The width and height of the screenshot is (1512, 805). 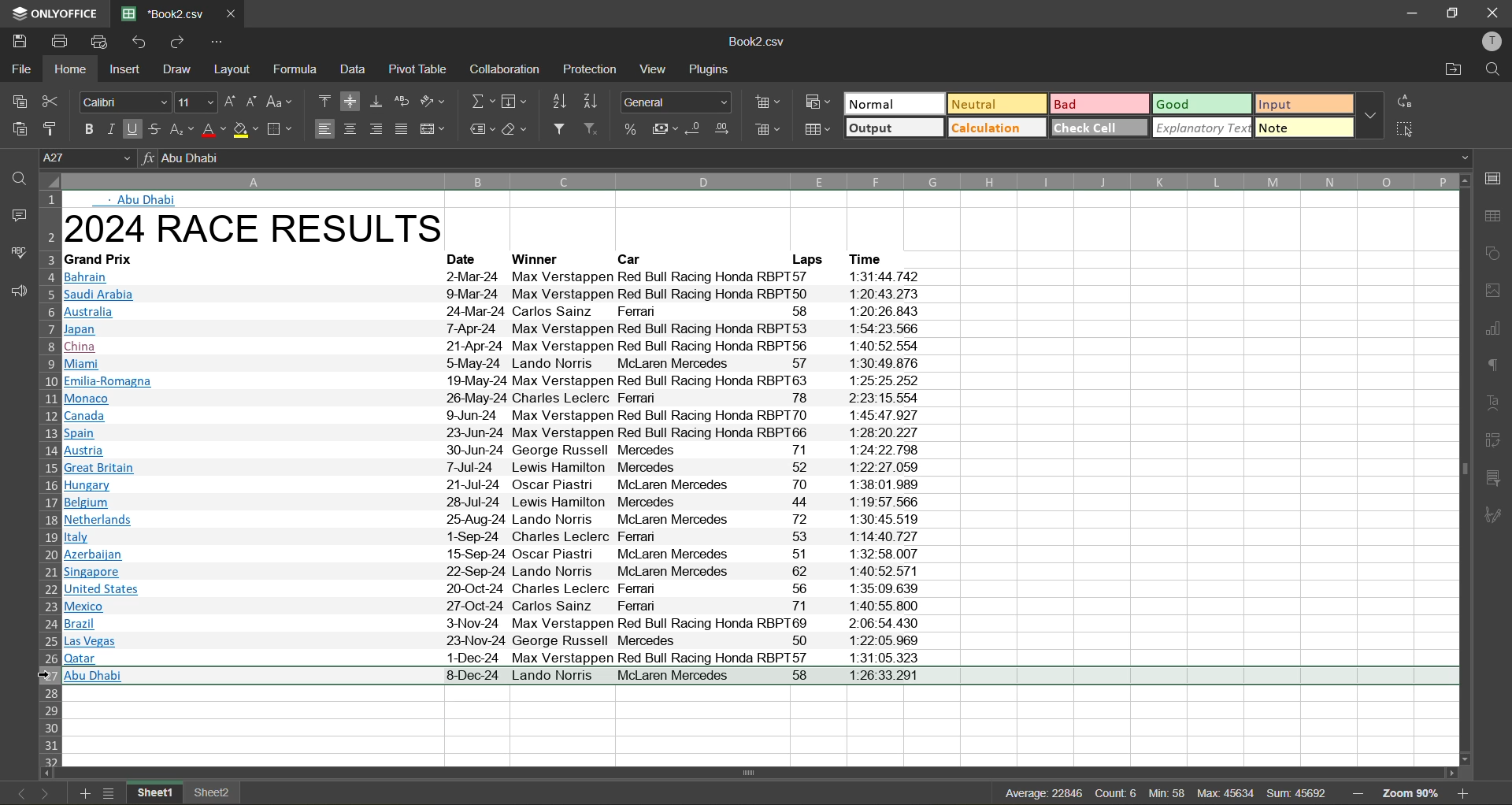 I want to click on select all cells, so click(x=47, y=182).